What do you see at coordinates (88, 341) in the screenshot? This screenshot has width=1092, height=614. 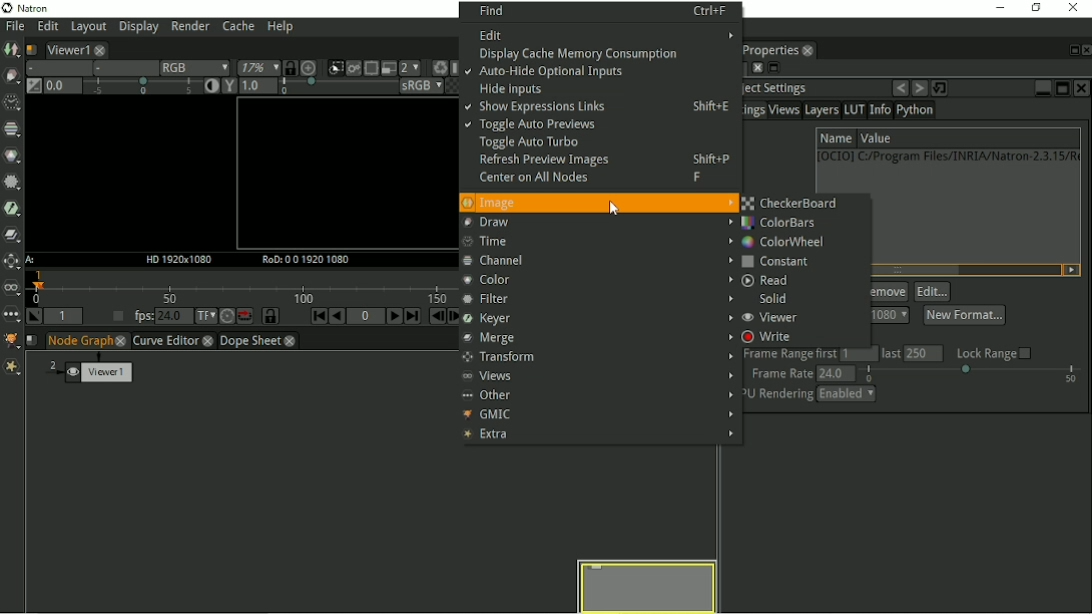 I see `Node graph` at bounding box center [88, 341].